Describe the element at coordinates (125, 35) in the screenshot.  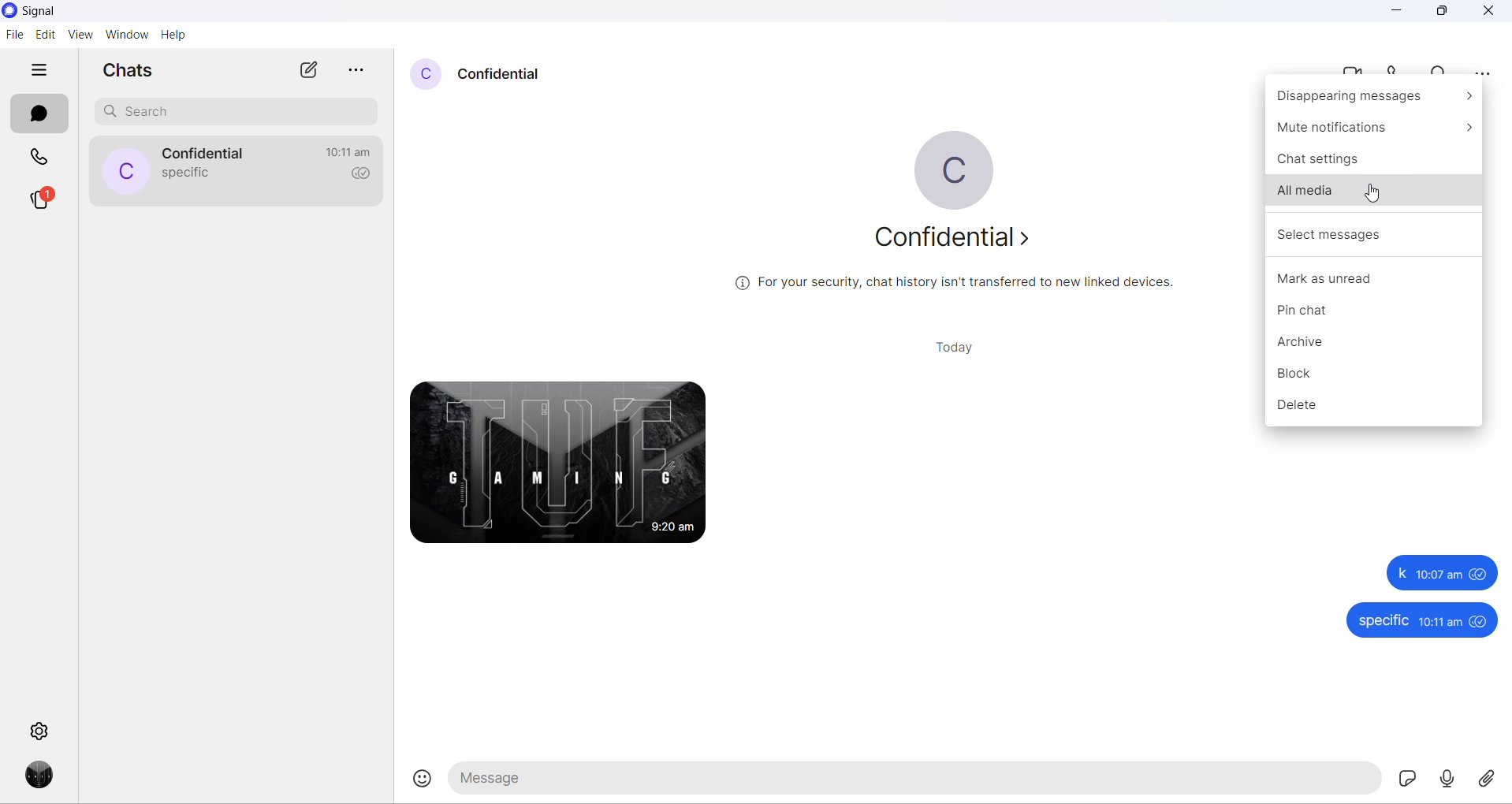
I see `window` at that location.